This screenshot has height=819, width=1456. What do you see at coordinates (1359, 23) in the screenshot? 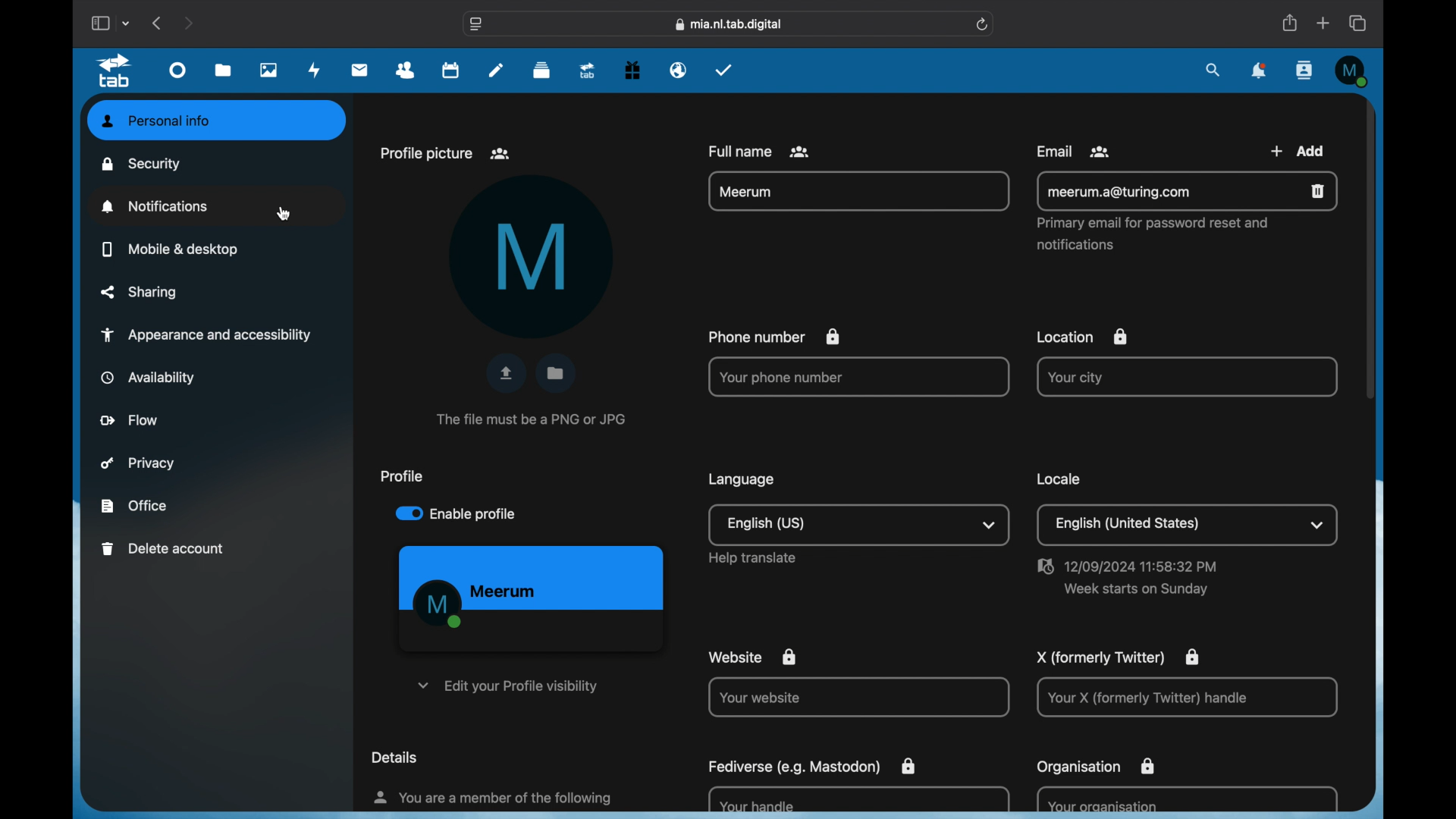
I see `show tab overview` at bounding box center [1359, 23].